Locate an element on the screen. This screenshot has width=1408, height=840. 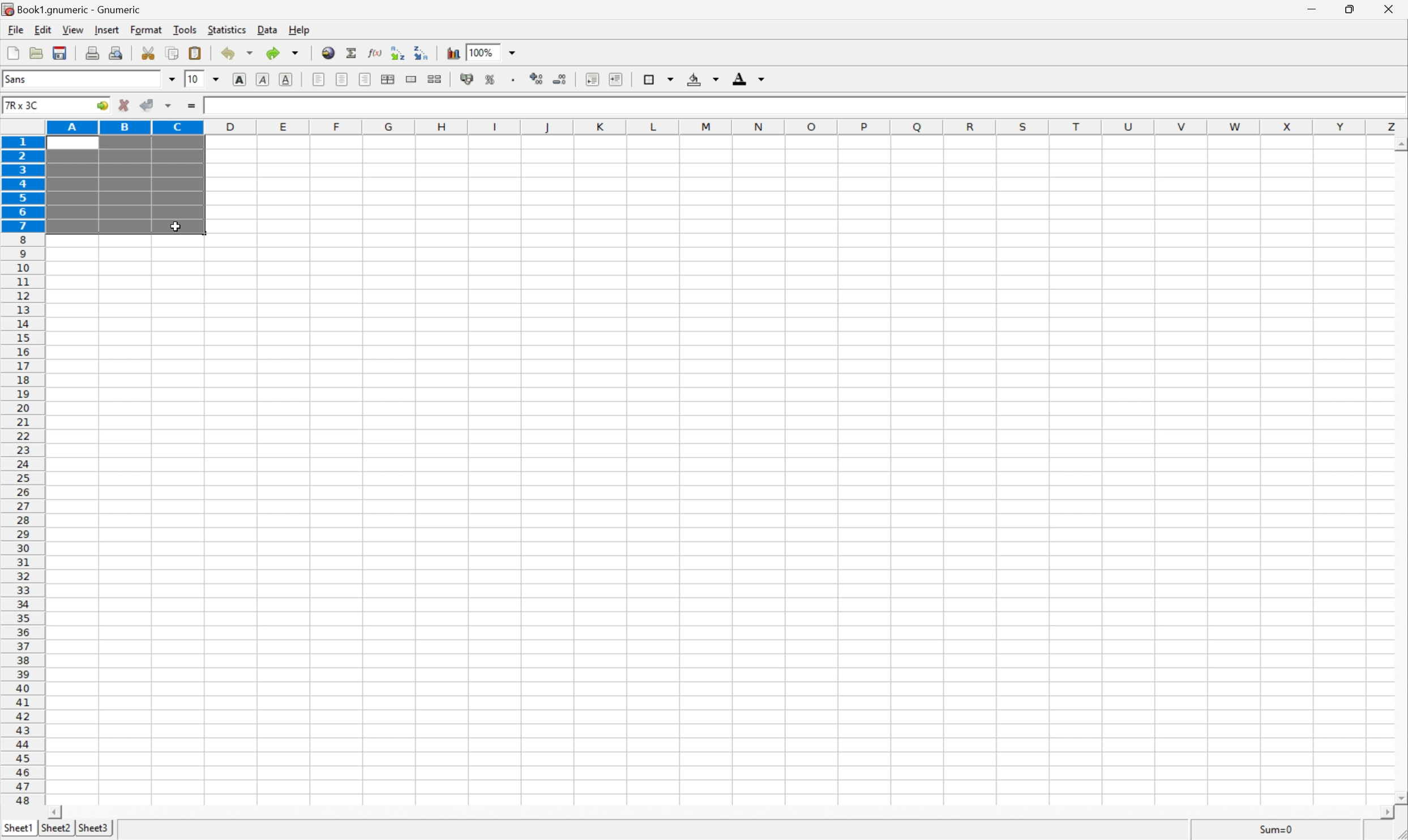
cancel change is located at coordinates (124, 106).